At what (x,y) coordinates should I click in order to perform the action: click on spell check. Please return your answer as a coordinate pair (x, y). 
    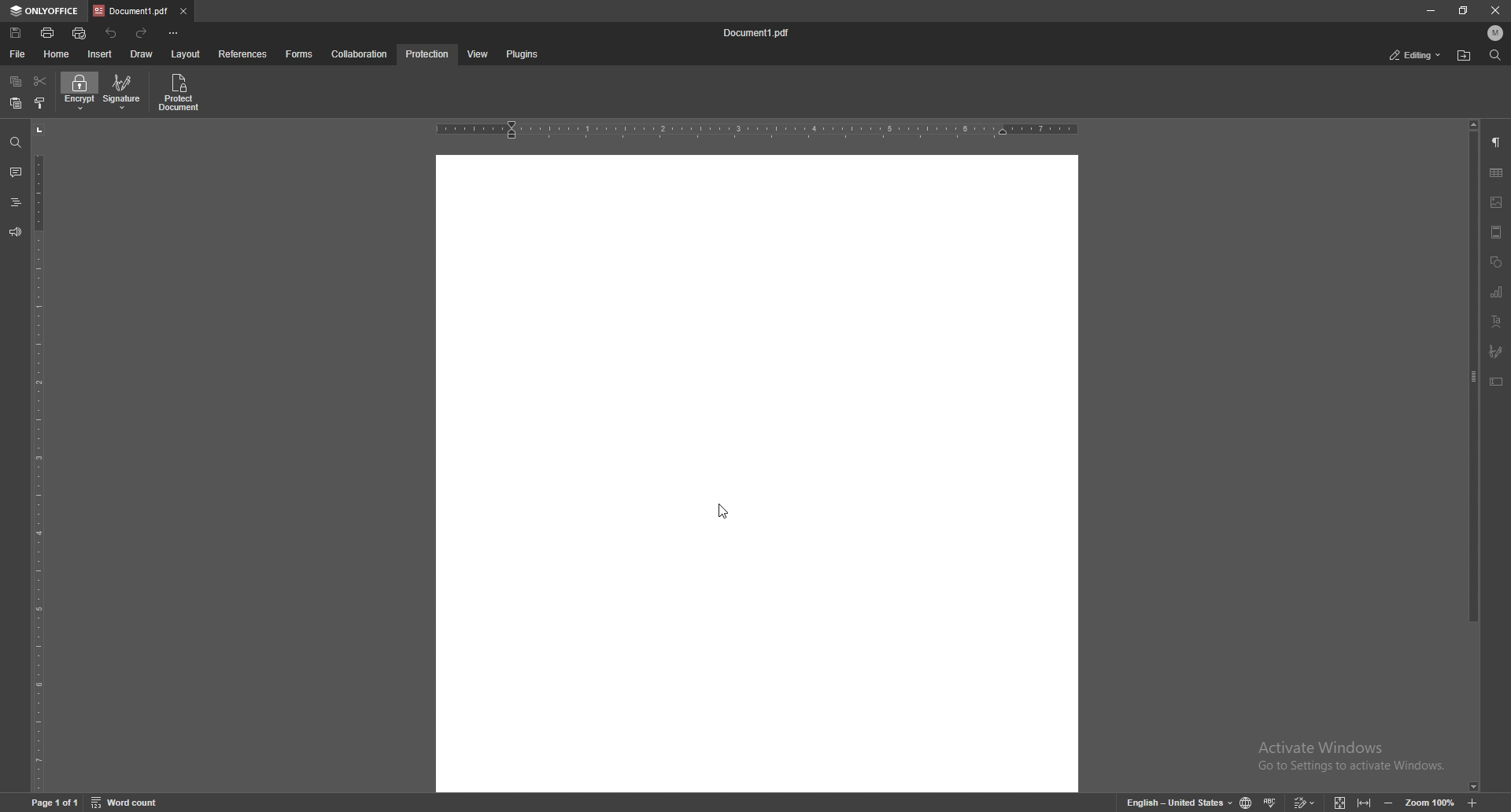
    Looking at the image, I should click on (1272, 802).